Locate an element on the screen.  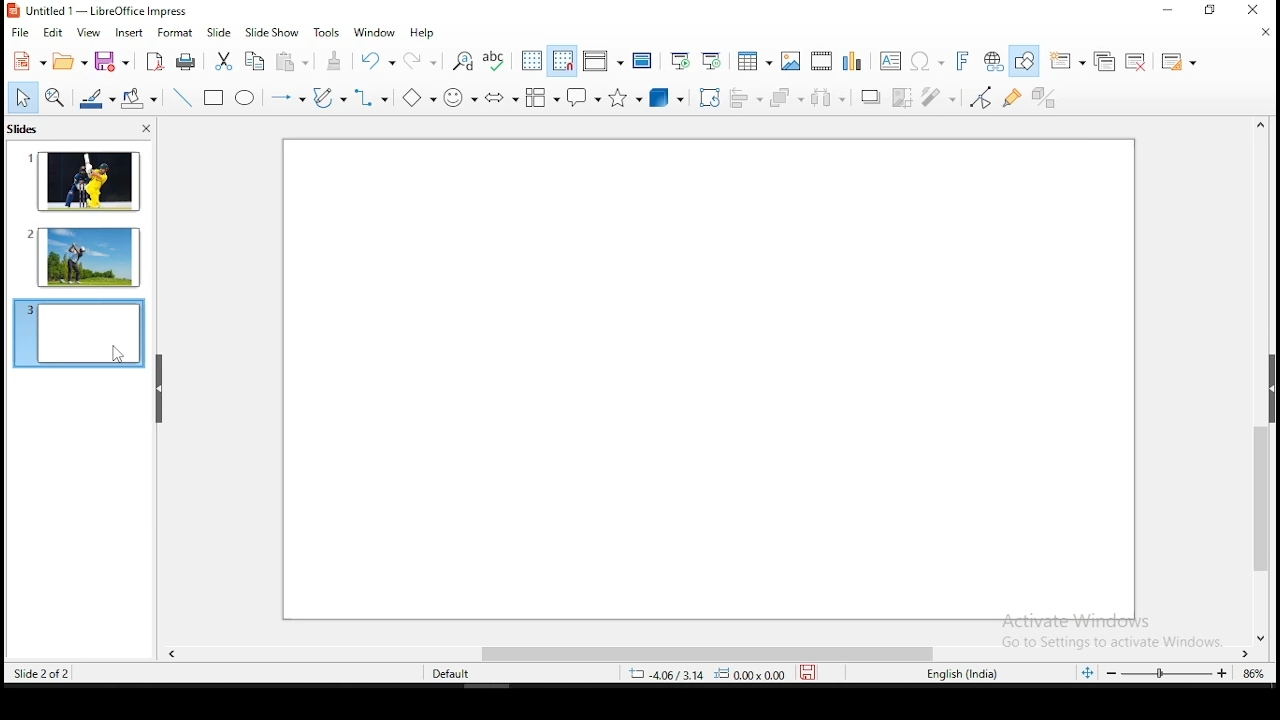
basic shapes is located at coordinates (416, 95).